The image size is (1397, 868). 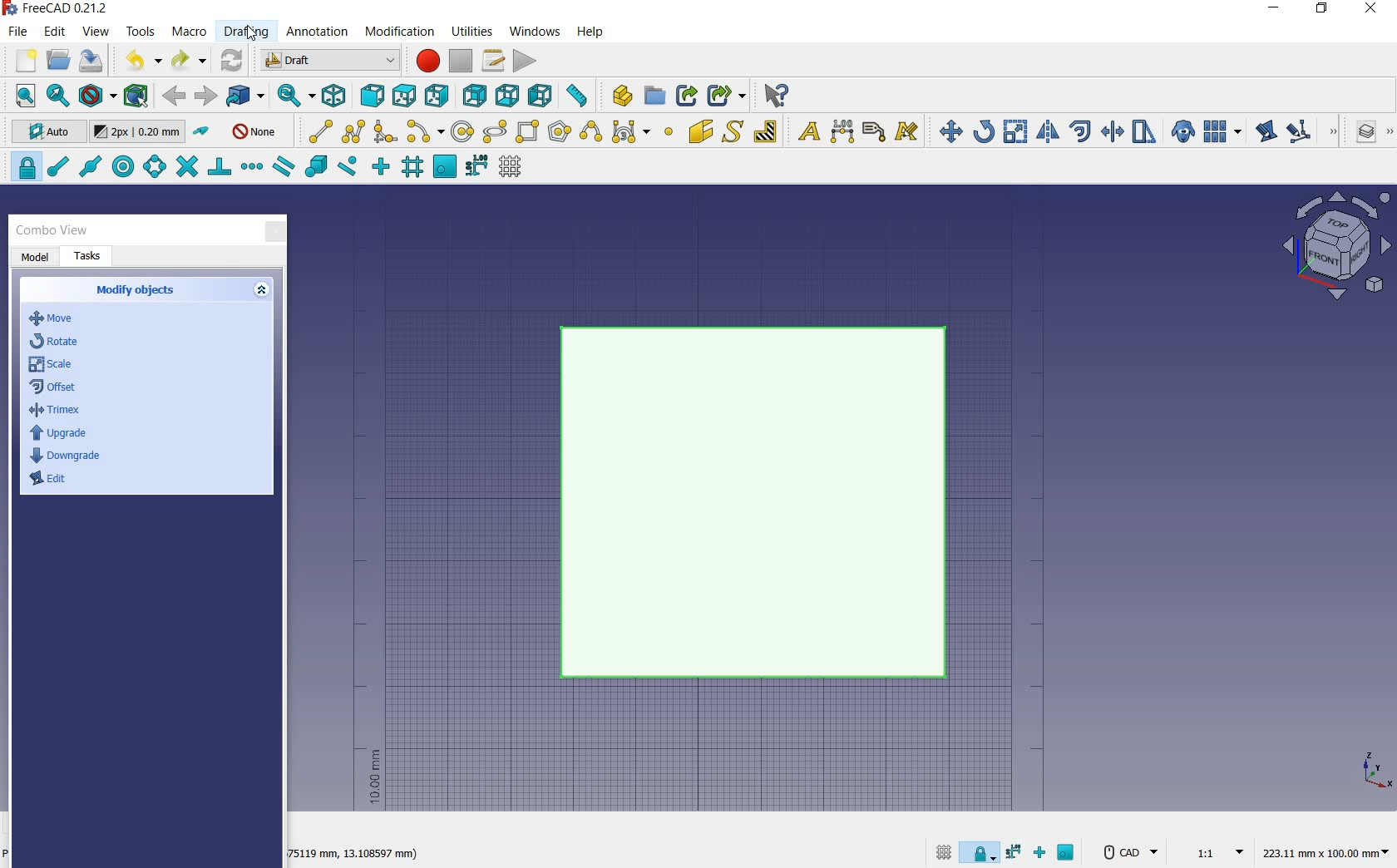 What do you see at coordinates (275, 233) in the screenshot?
I see `close` at bounding box center [275, 233].